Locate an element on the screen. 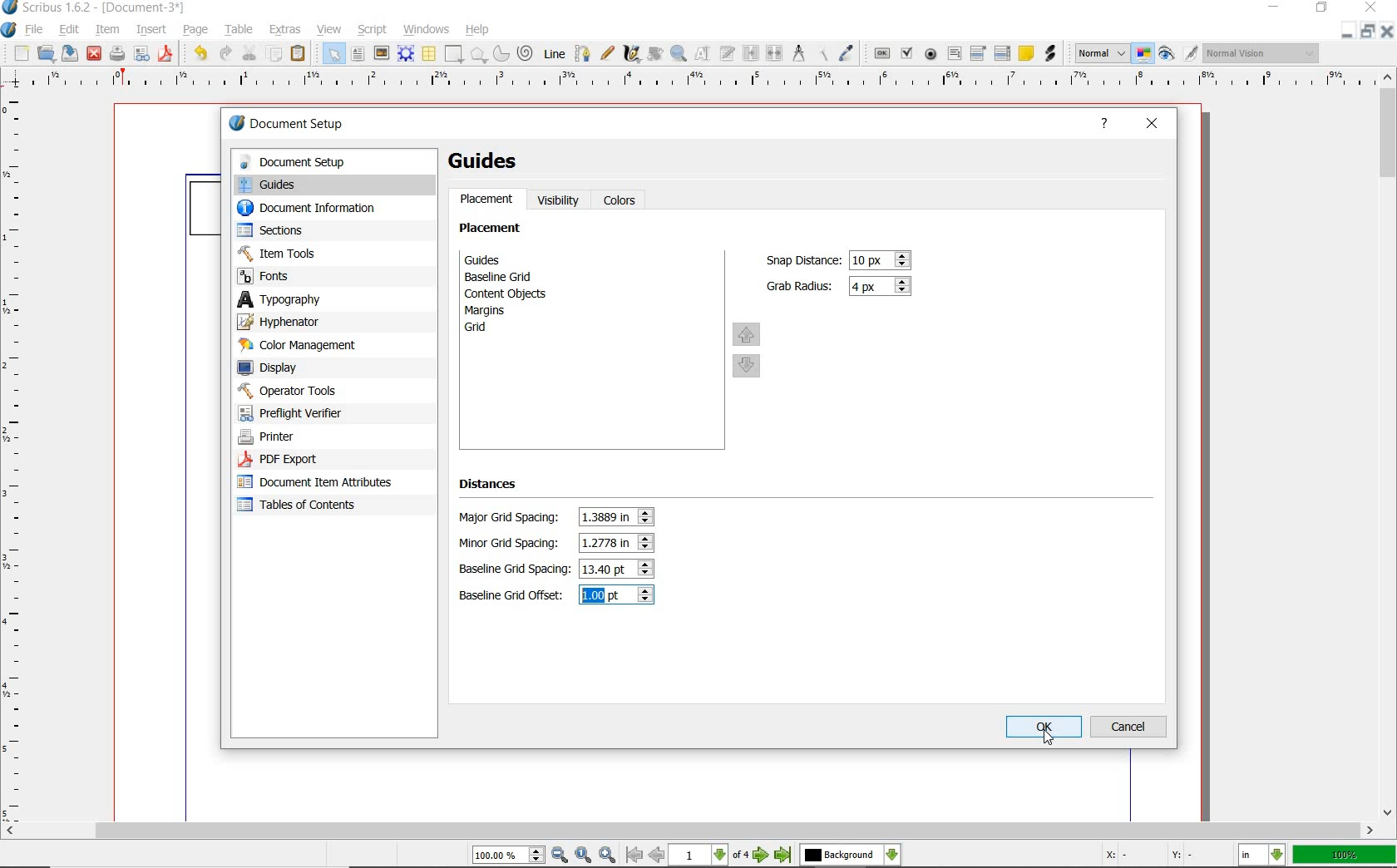 This screenshot has width=1397, height=868. freehand line is located at coordinates (608, 54).